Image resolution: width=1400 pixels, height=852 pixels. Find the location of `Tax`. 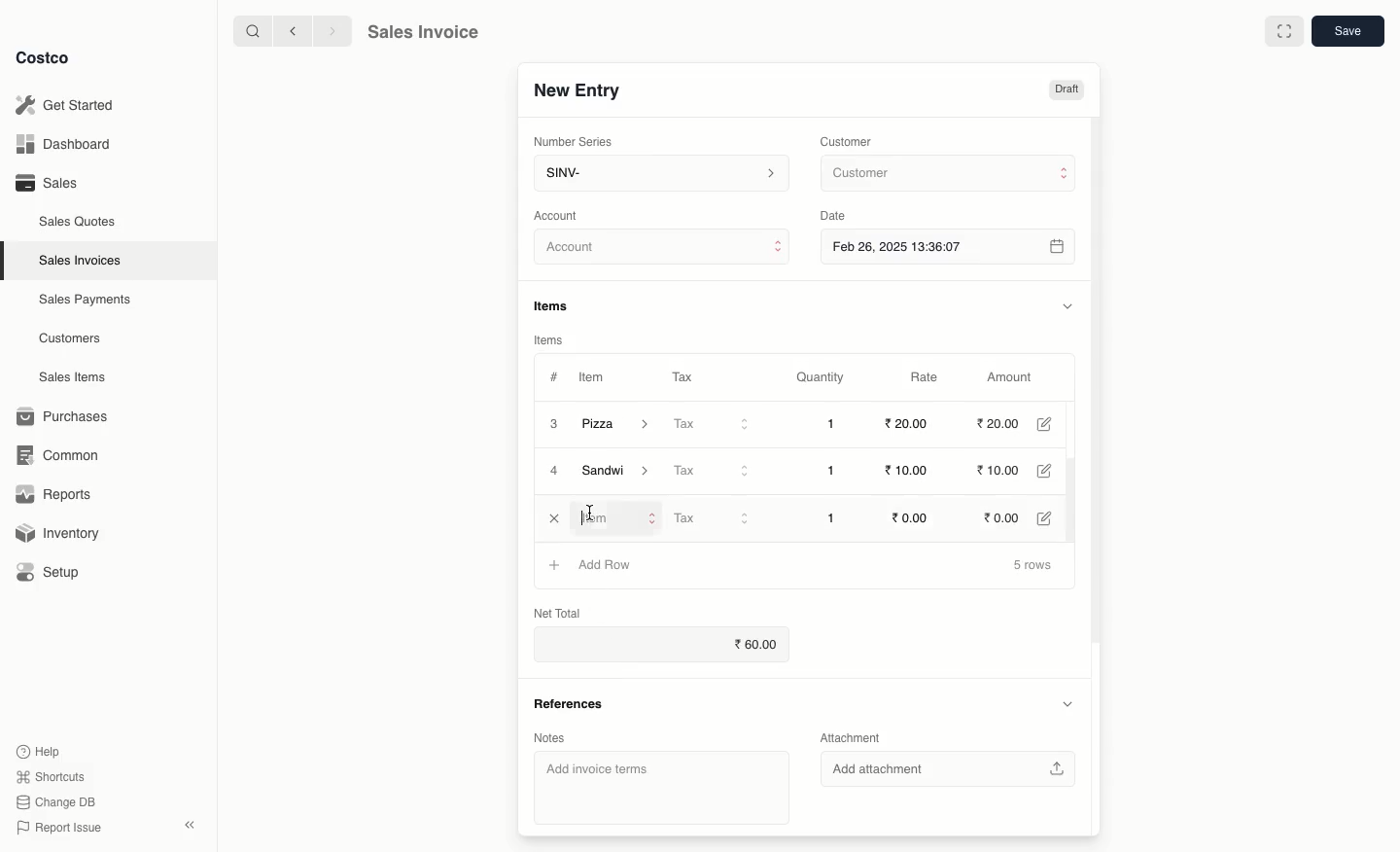

Tax is located at coordinates (713, 470).